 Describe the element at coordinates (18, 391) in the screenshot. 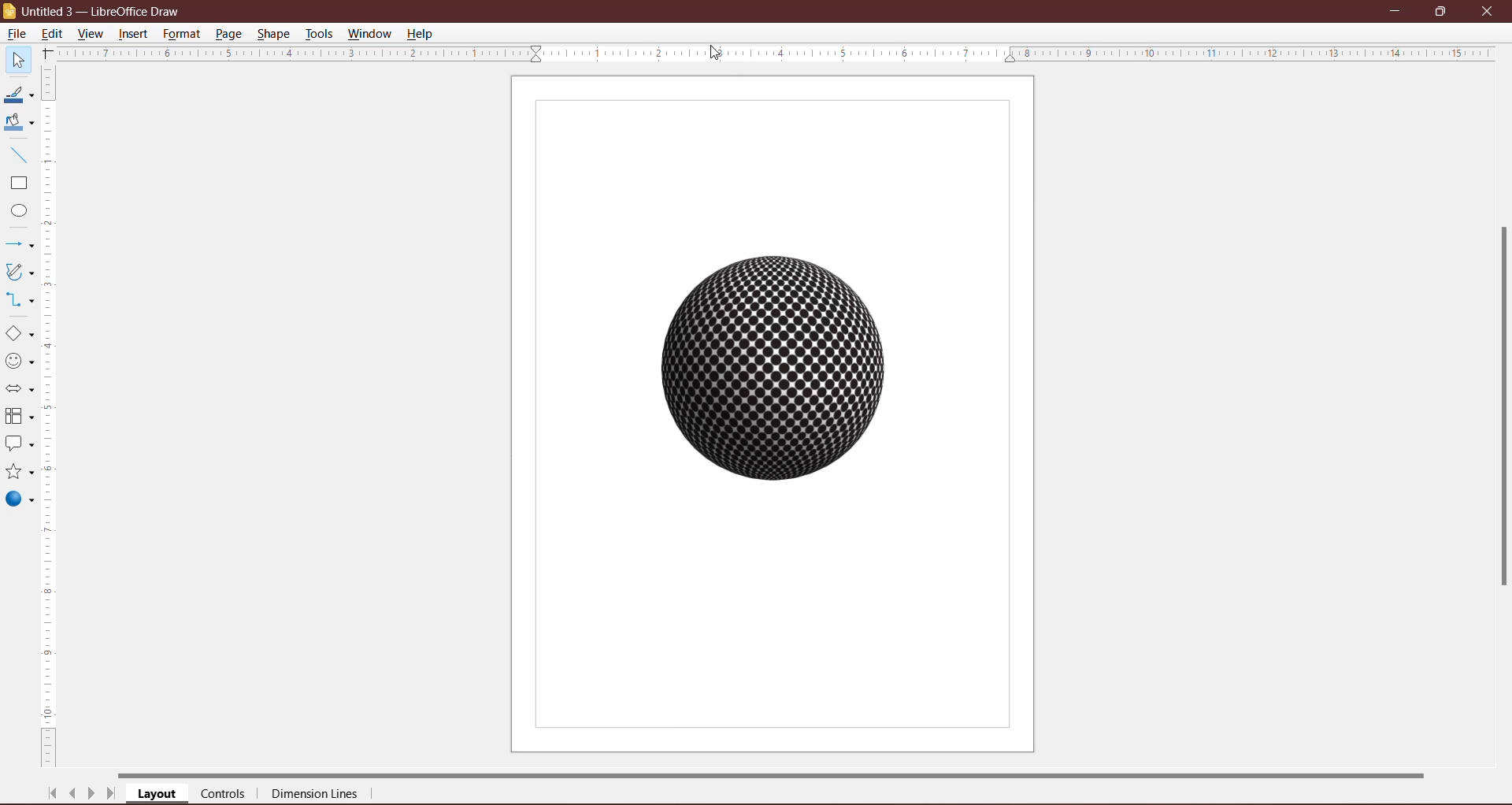

I see `Block Arrows` at that location.